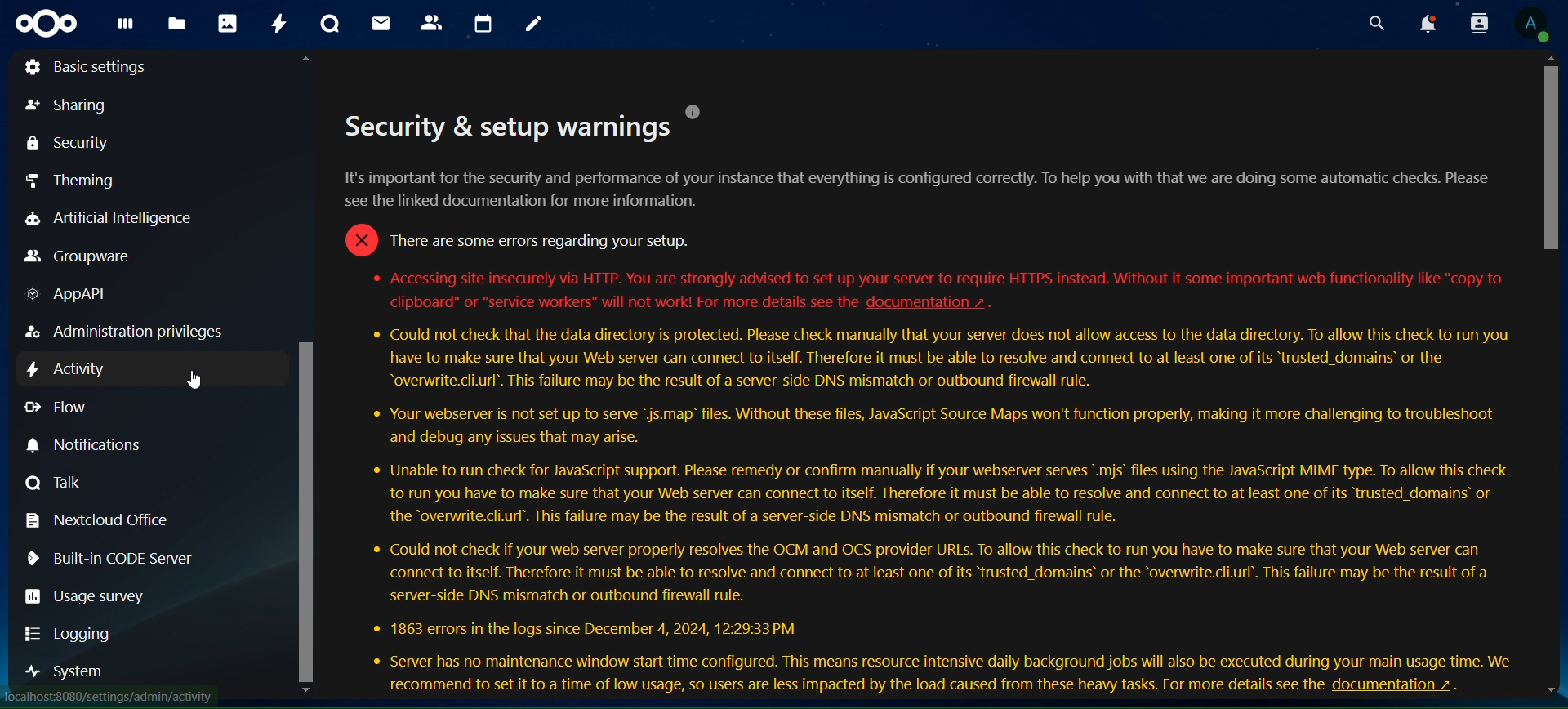 This screenshot has height=709, width=1568. What do you see at coordinates (129, 29) in the screenshot?
I see `dashboard` at bounding box center [129, 29].